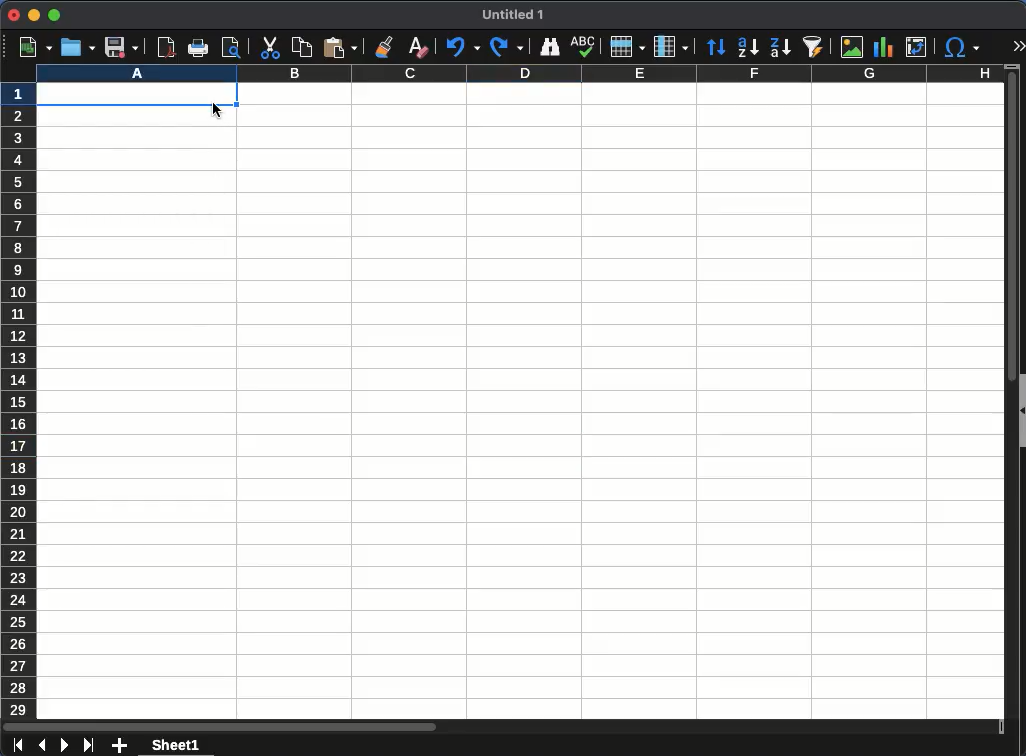  Describe the element at coordinates (121, 47) in the screenshot. I see `save` at that location.